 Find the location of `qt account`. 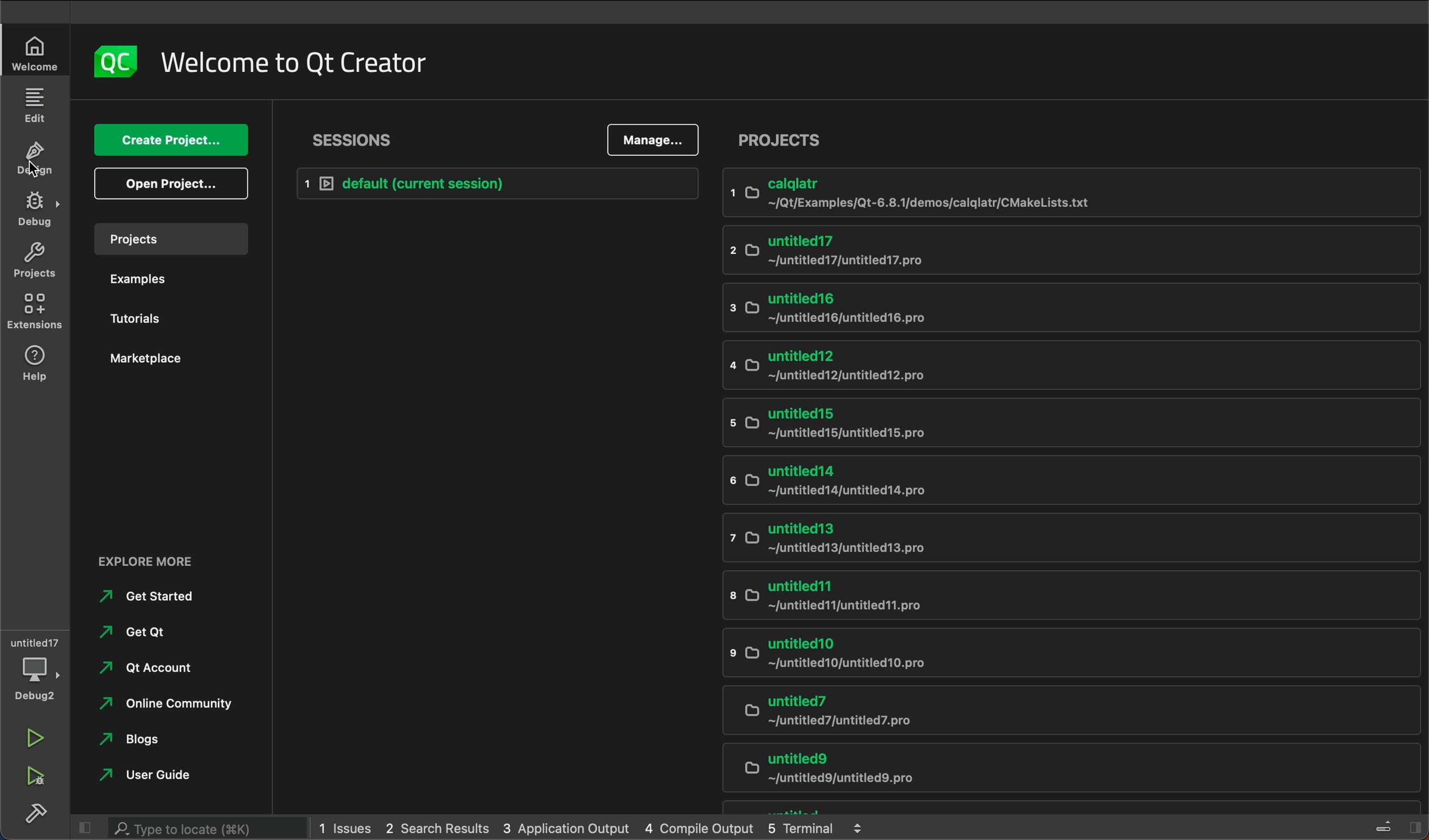

qt account is located at coordinates (150, 667).